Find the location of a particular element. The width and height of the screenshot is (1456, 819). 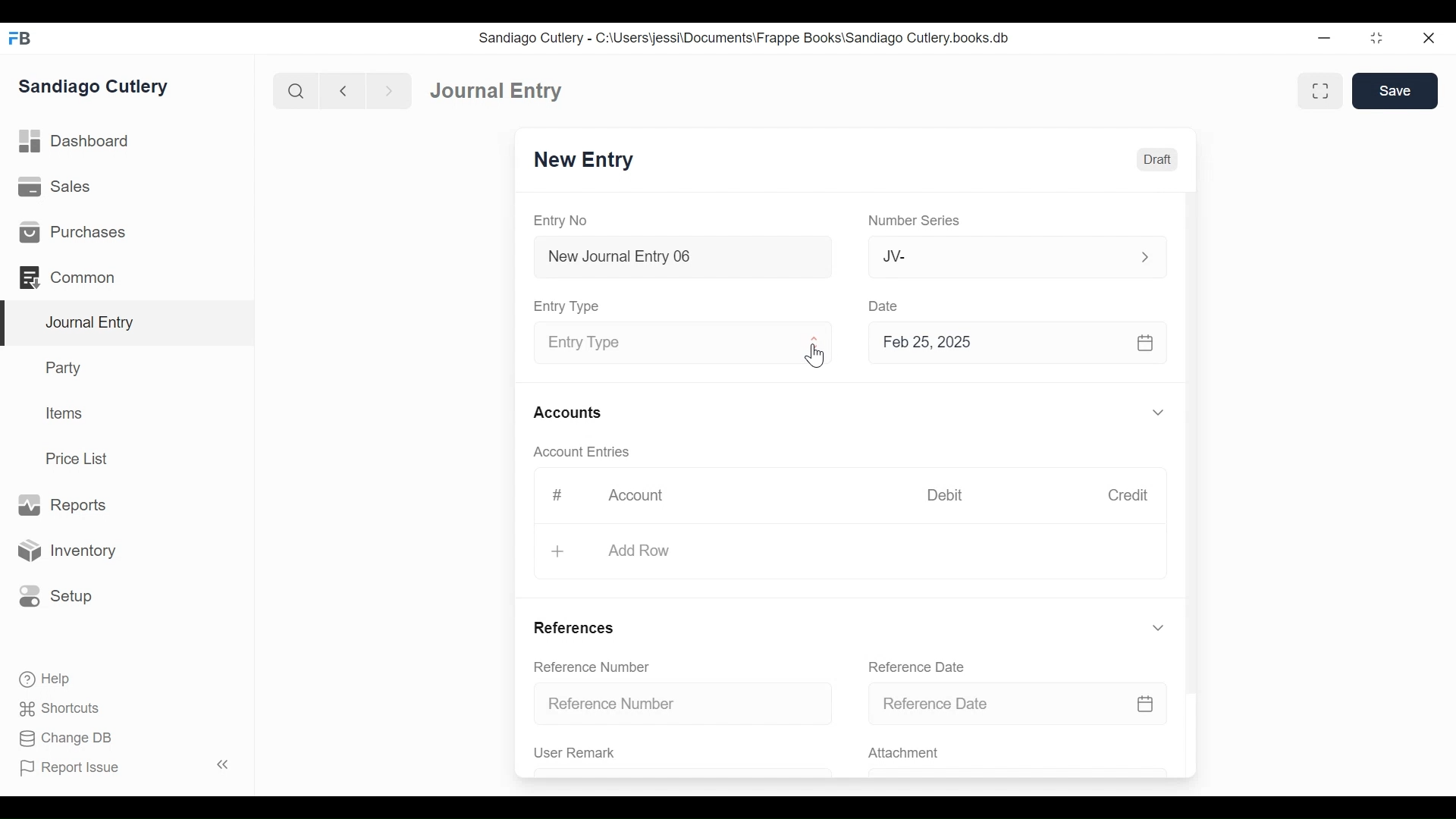

Entry No is located at coordinates (561, 221).